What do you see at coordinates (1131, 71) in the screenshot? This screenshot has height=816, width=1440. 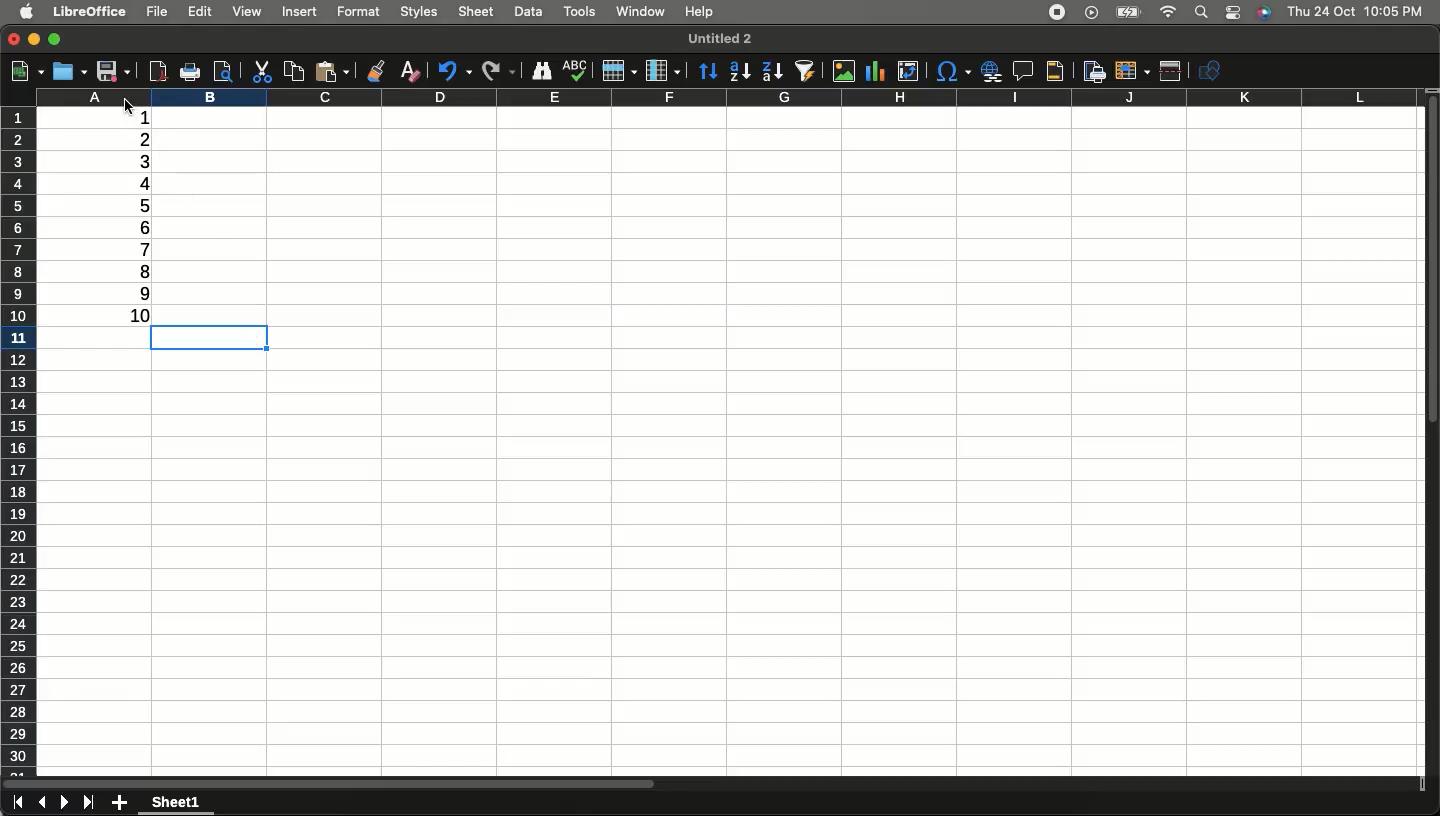 I see `Freeze rows and columns` at bounding box center [1131, 71].